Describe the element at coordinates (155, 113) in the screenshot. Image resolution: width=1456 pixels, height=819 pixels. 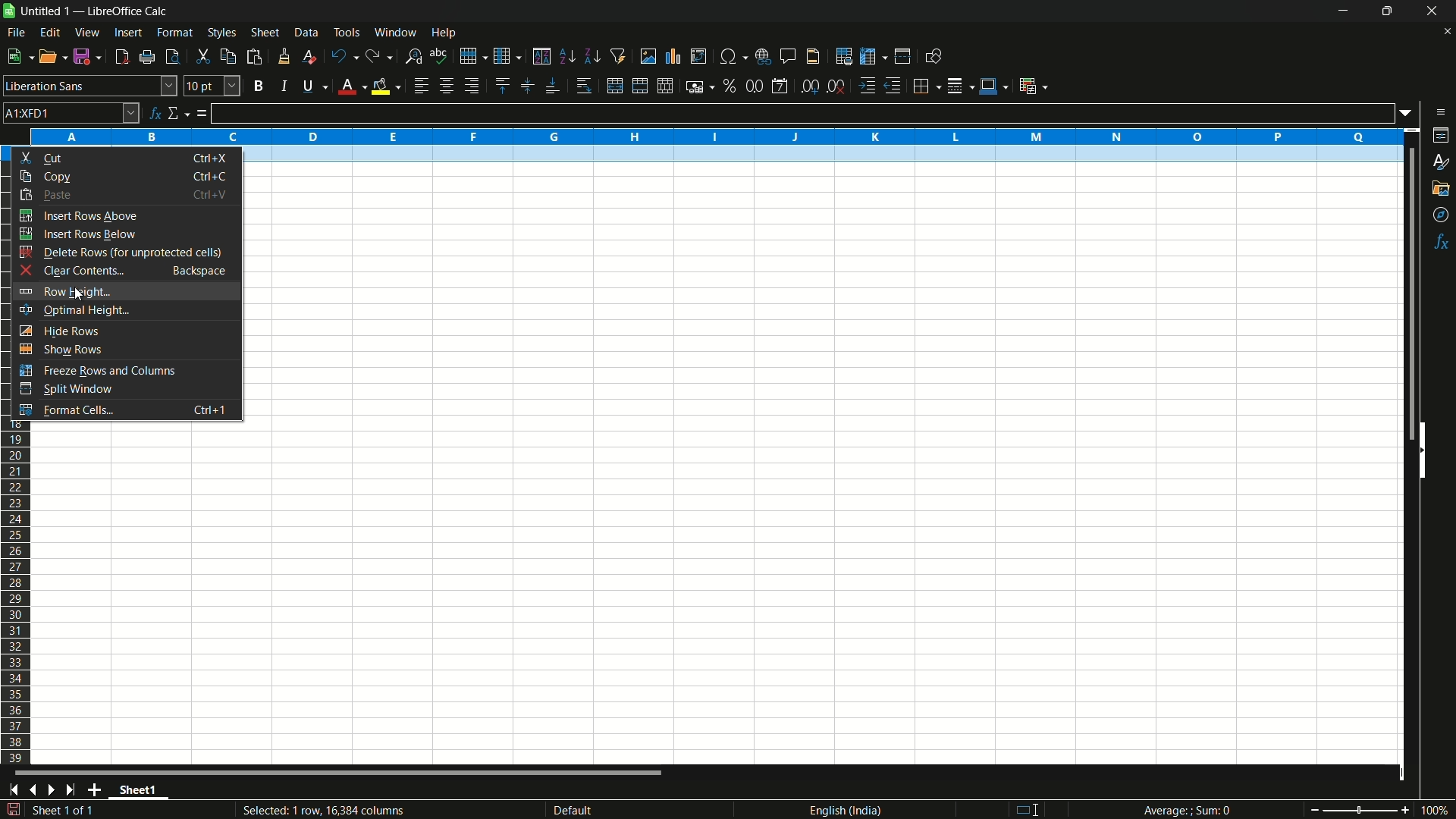
I see `function wizard` at that location.